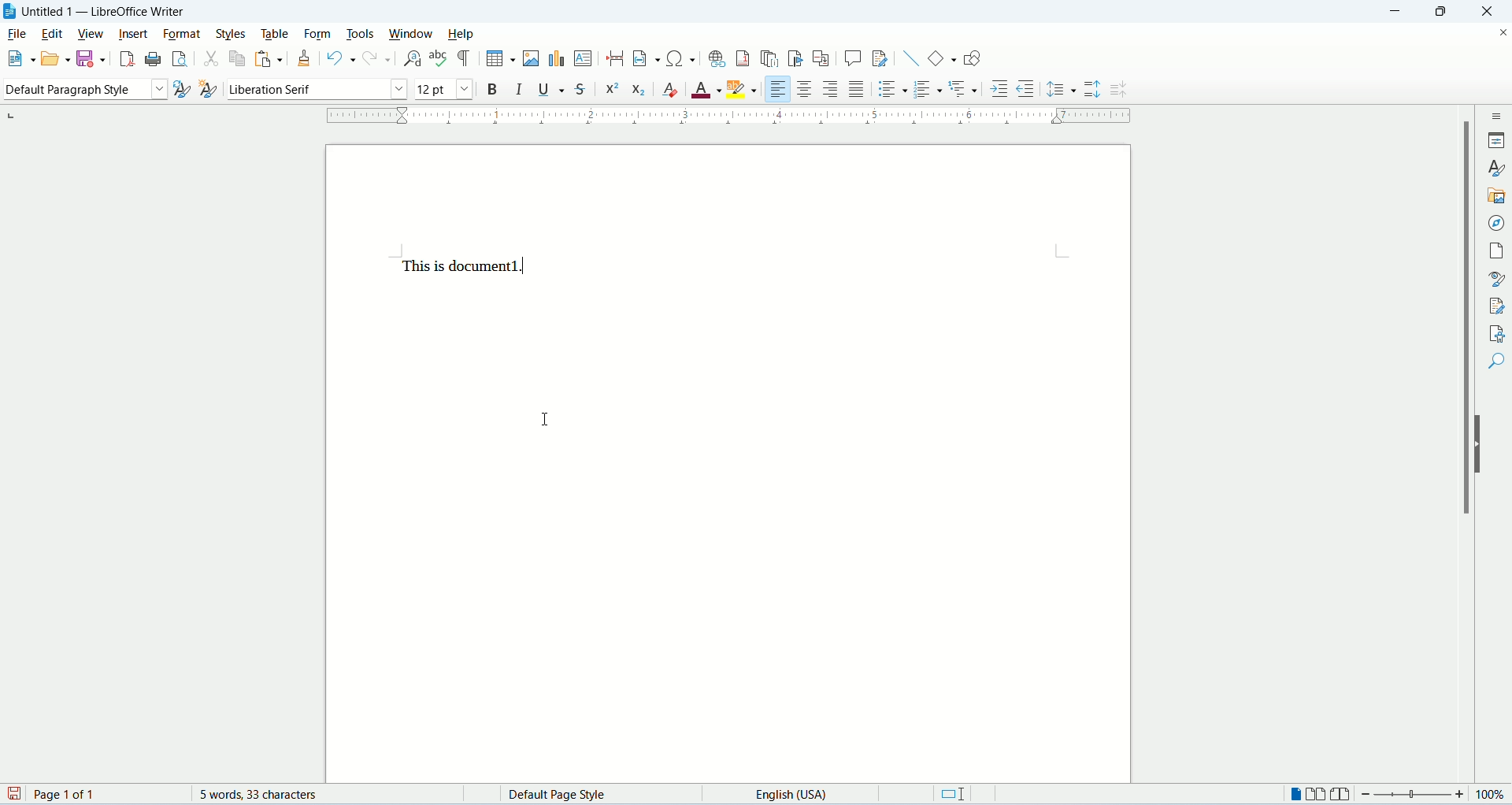  I want to click on decrease indent, so click(1030, 88).